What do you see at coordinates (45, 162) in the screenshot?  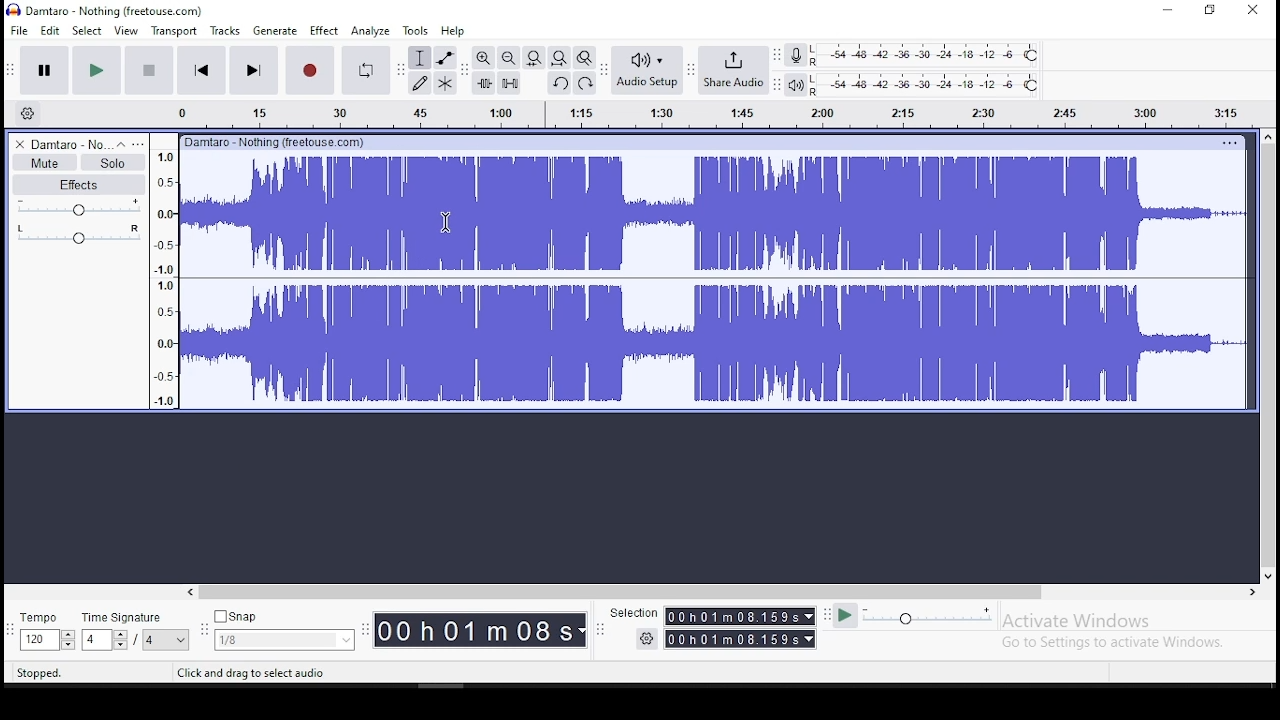 I see `mute` at bounding box center [45, 162].